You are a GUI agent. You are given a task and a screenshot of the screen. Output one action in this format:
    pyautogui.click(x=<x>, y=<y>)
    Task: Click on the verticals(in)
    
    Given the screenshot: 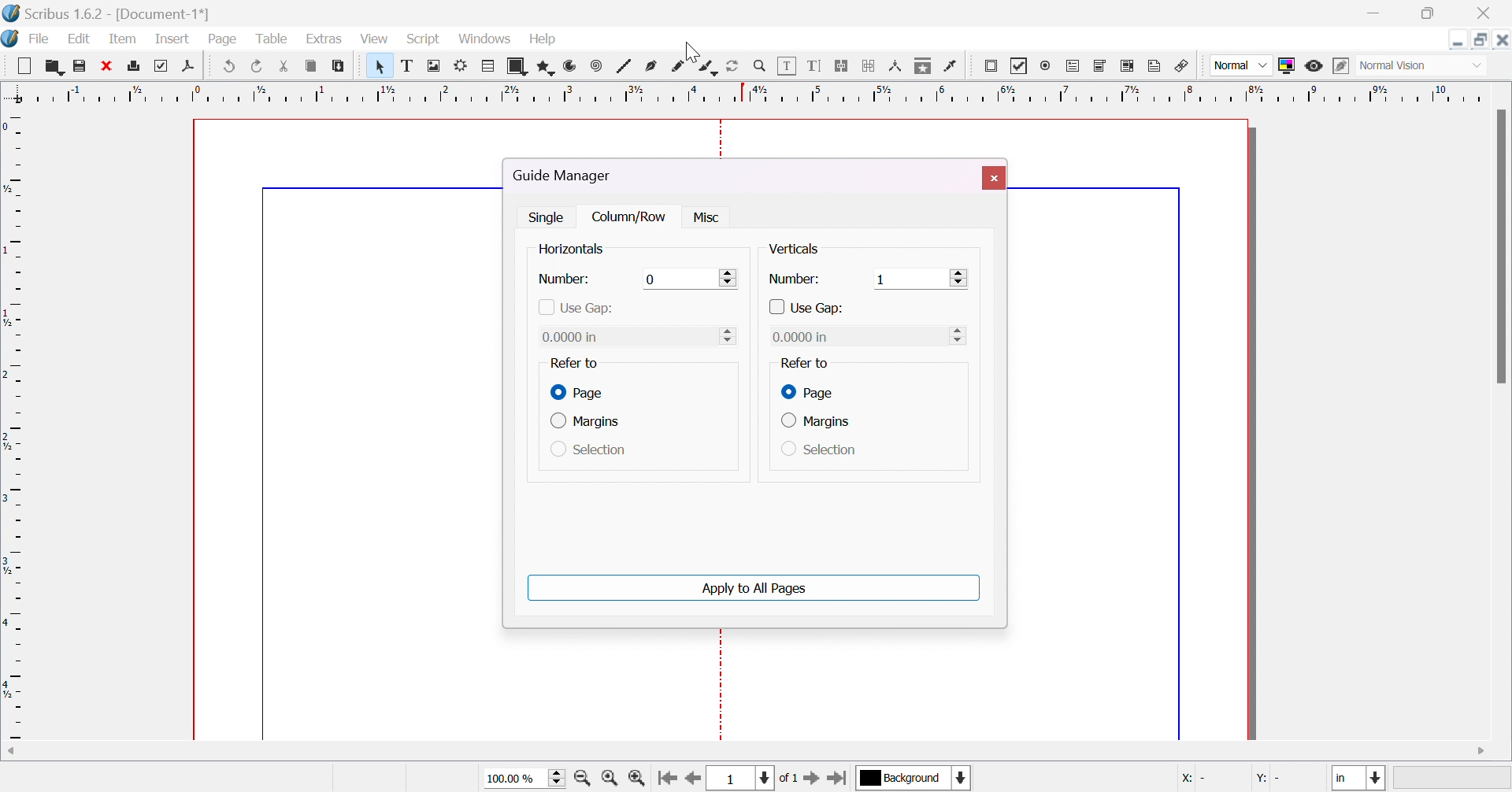 What is the action you would take?
    pyautogui.click(x=806, y=249)
    